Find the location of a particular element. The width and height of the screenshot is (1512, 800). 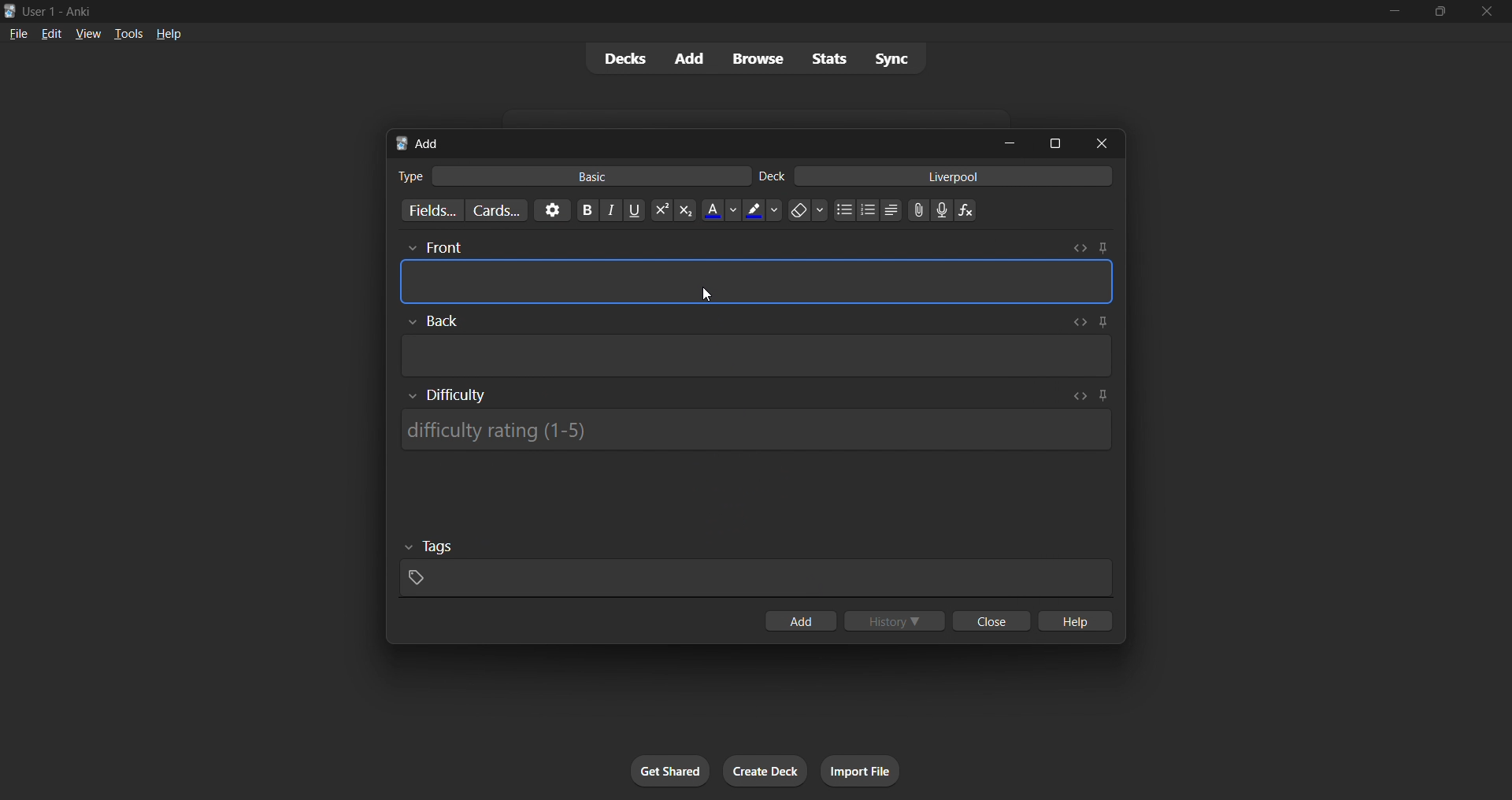

Text is located at coordinates (60, 13).